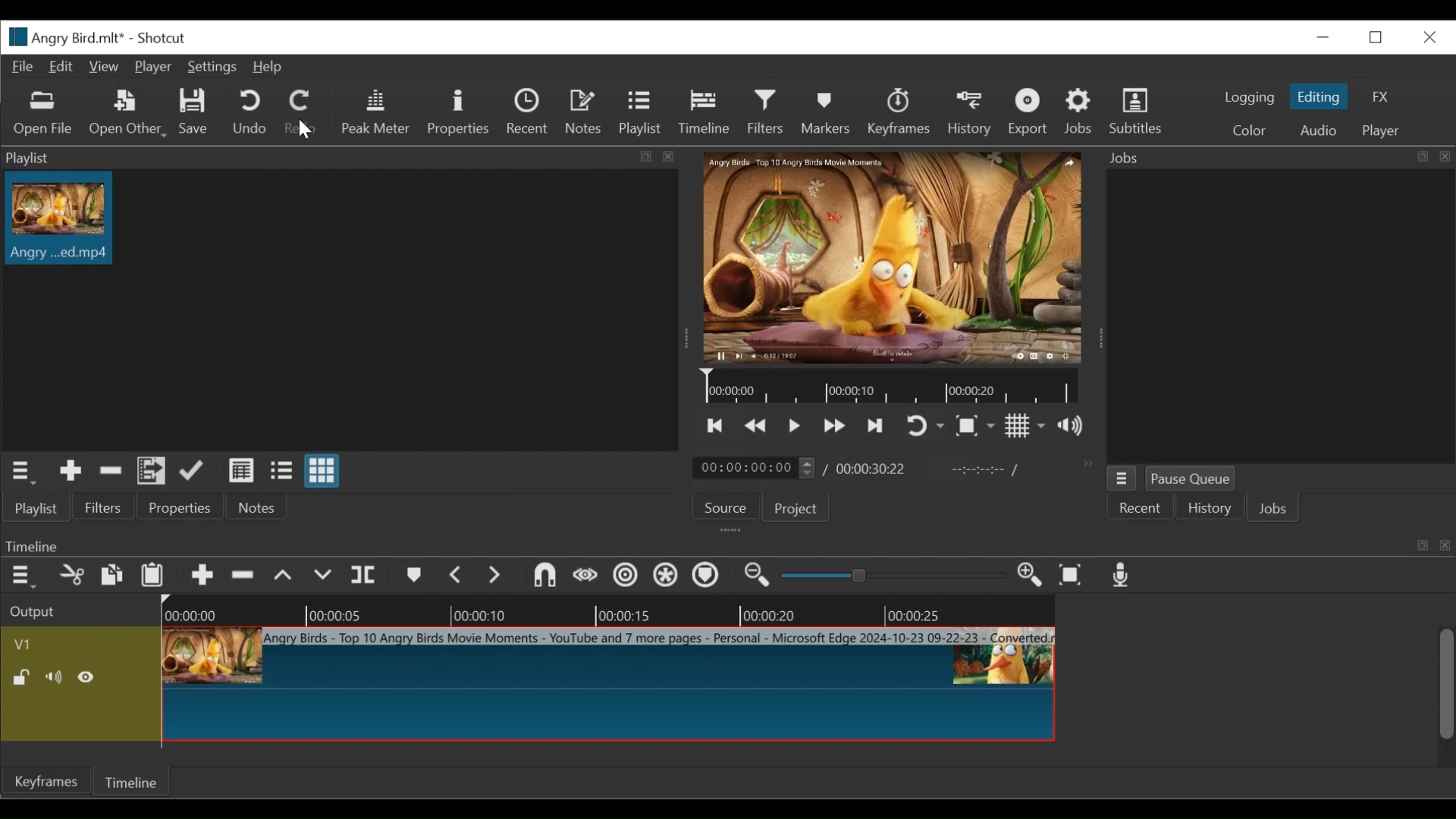  Describe the element at coordinates (242, 576) in the screenshot. I see `Ripple Delete` at that location.